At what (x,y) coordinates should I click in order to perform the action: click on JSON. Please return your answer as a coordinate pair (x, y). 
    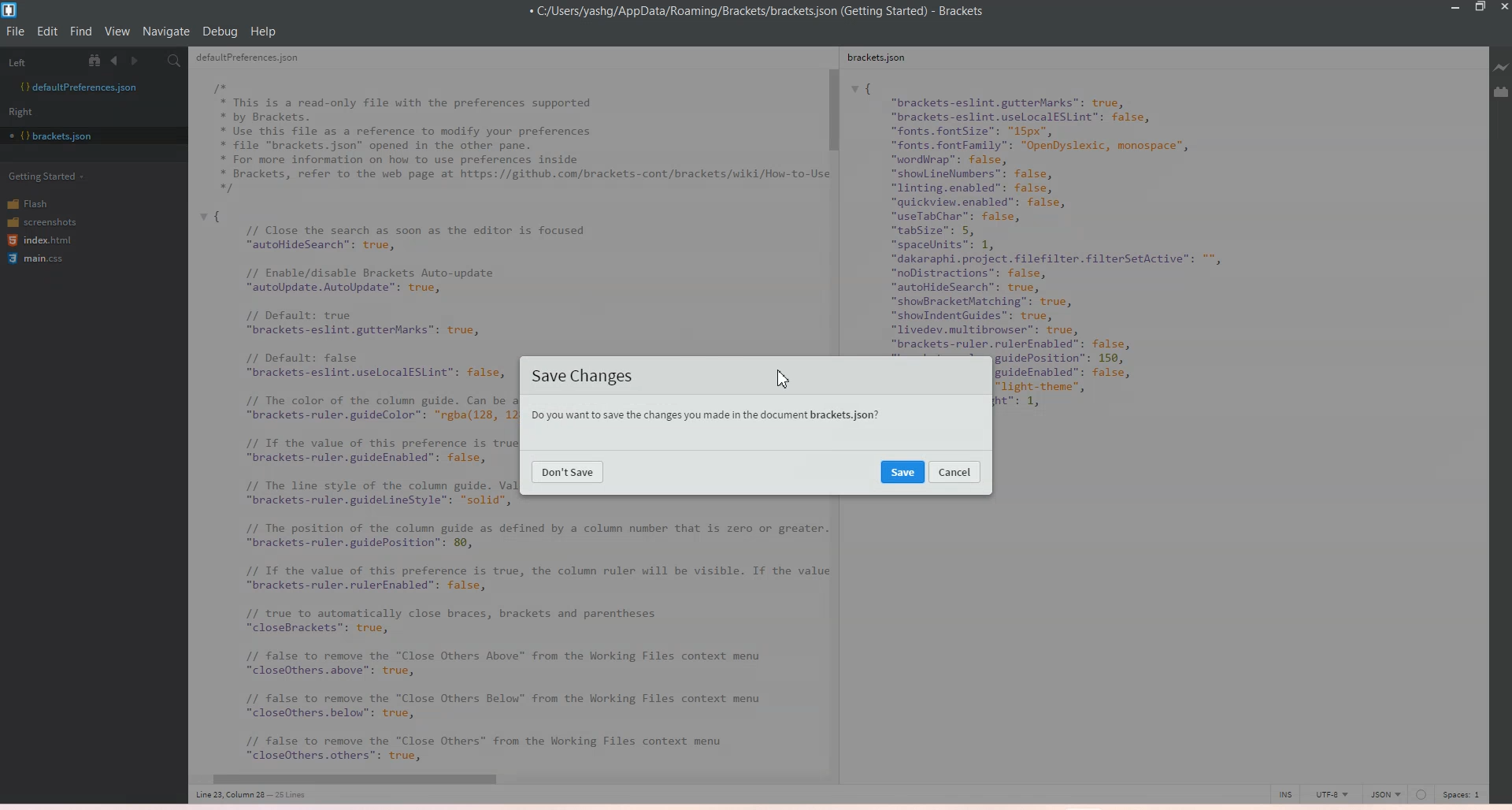
    Looking at the image, I should click on (1385, 793).